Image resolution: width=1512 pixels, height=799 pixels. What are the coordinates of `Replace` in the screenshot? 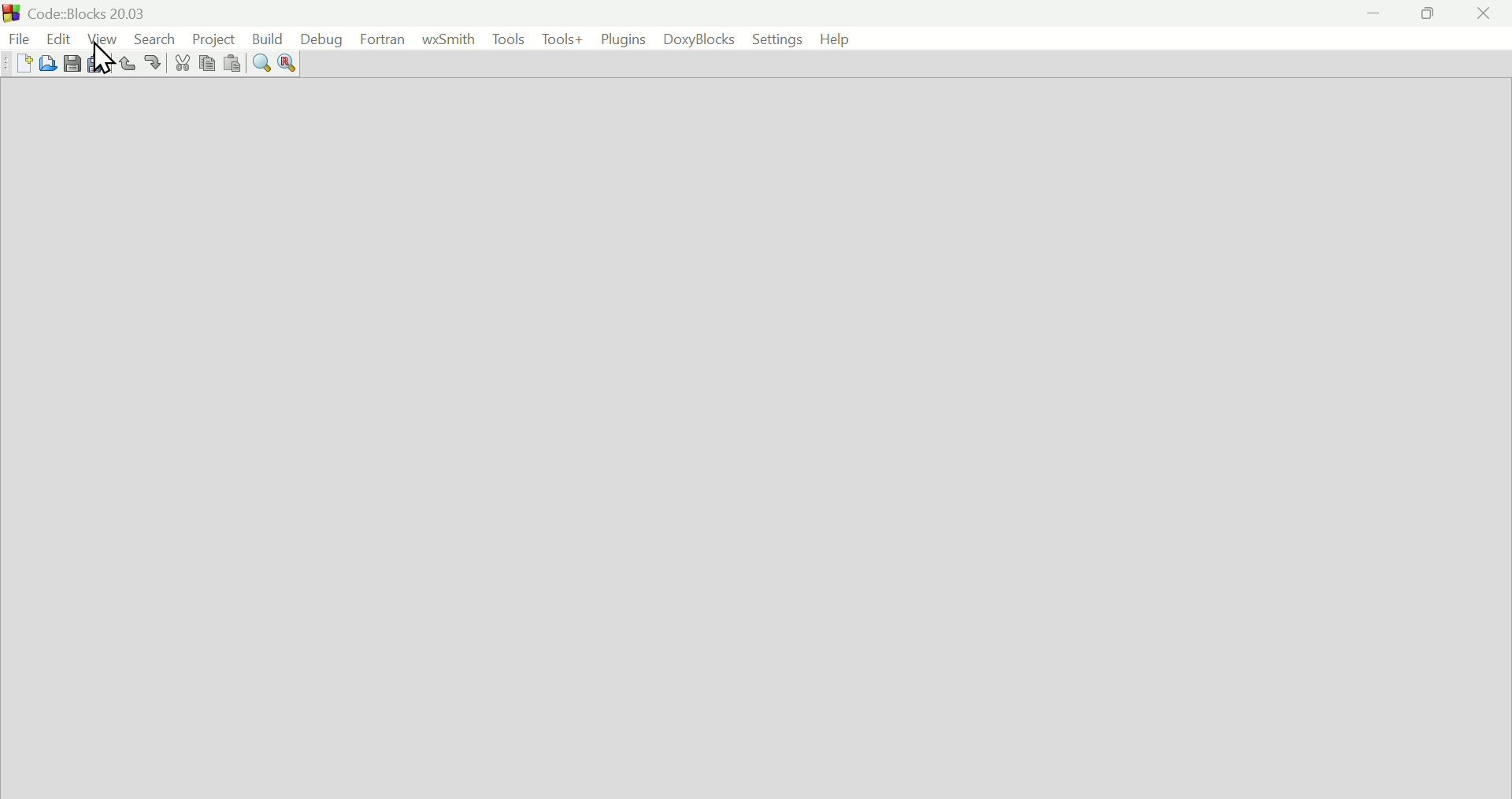 It's located at (288, 65).